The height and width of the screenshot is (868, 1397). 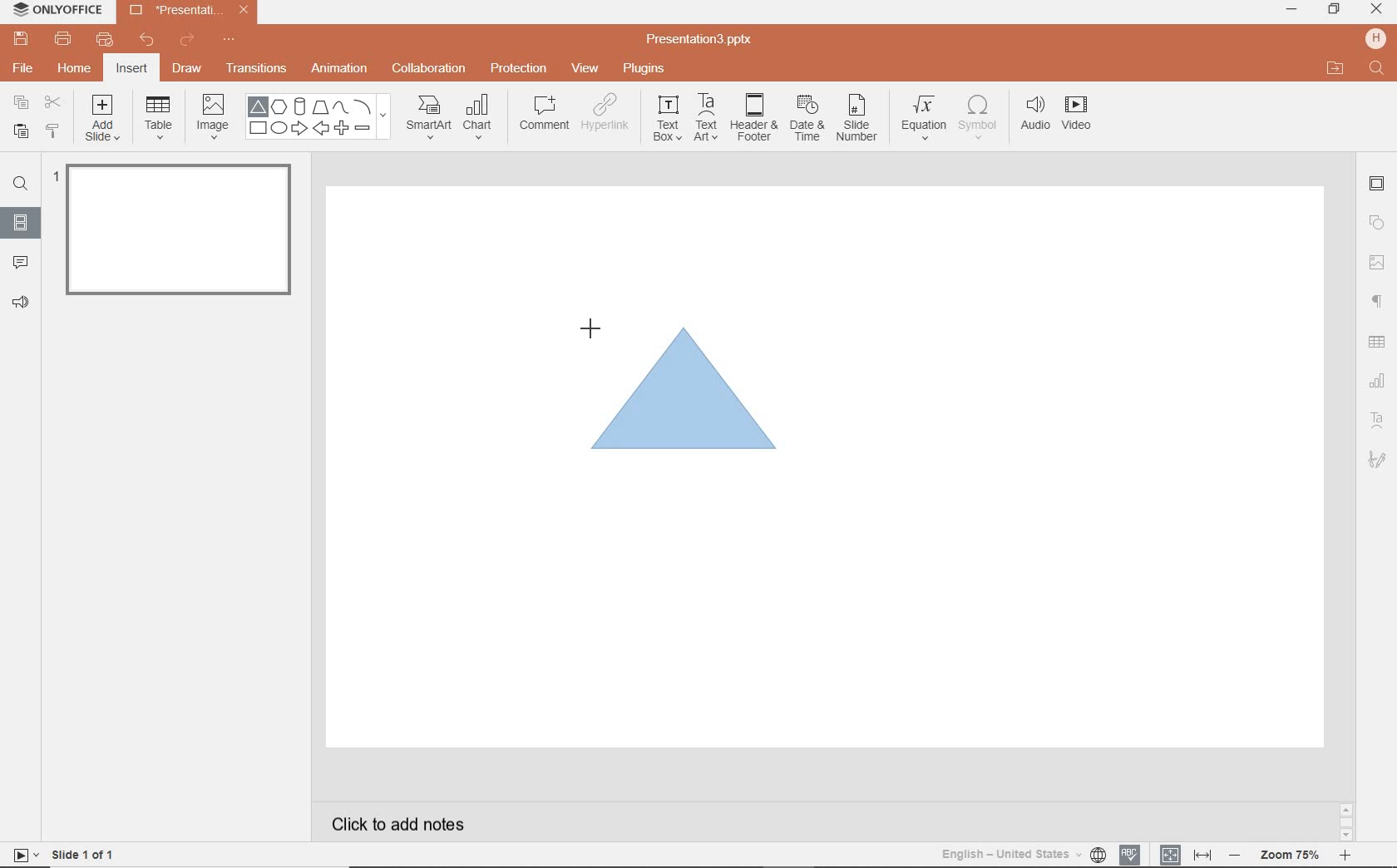 I want to click on SLIDE 1 OF 1, so click(x=86, y=853).